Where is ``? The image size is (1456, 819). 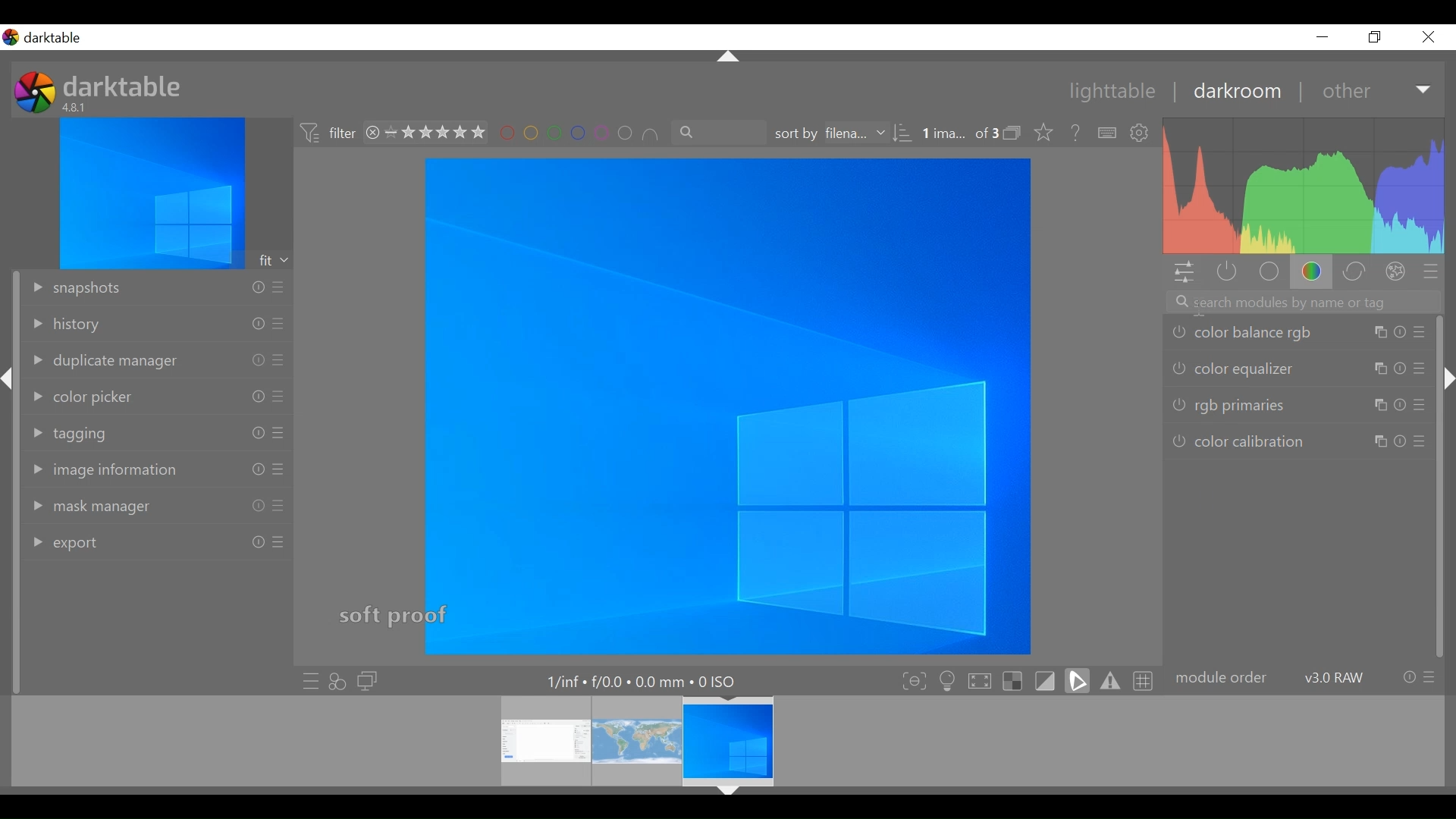  is located at coordinates (1379, 406).